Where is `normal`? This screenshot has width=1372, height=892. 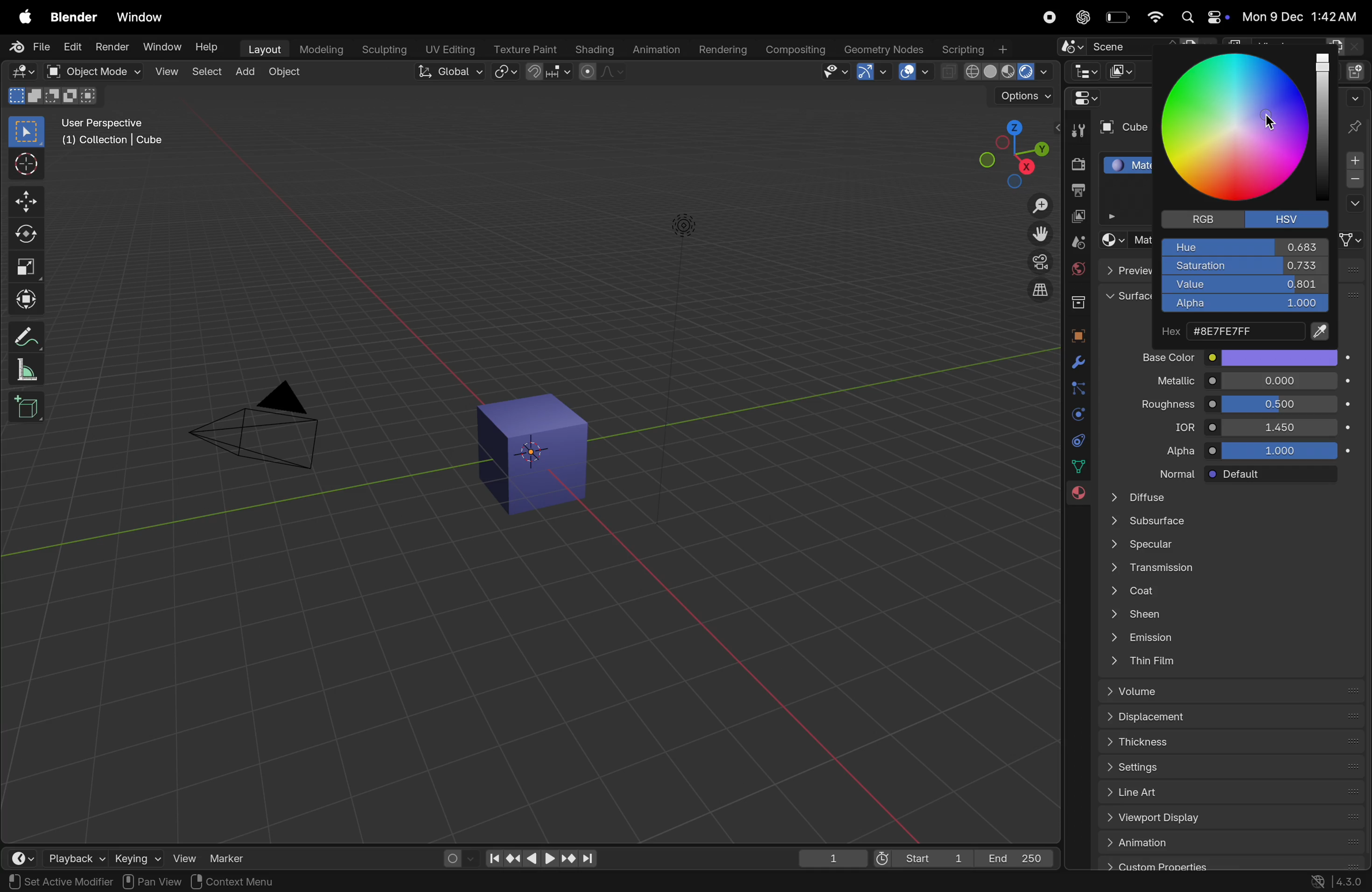
normal is located at coordinates (1166, 473).